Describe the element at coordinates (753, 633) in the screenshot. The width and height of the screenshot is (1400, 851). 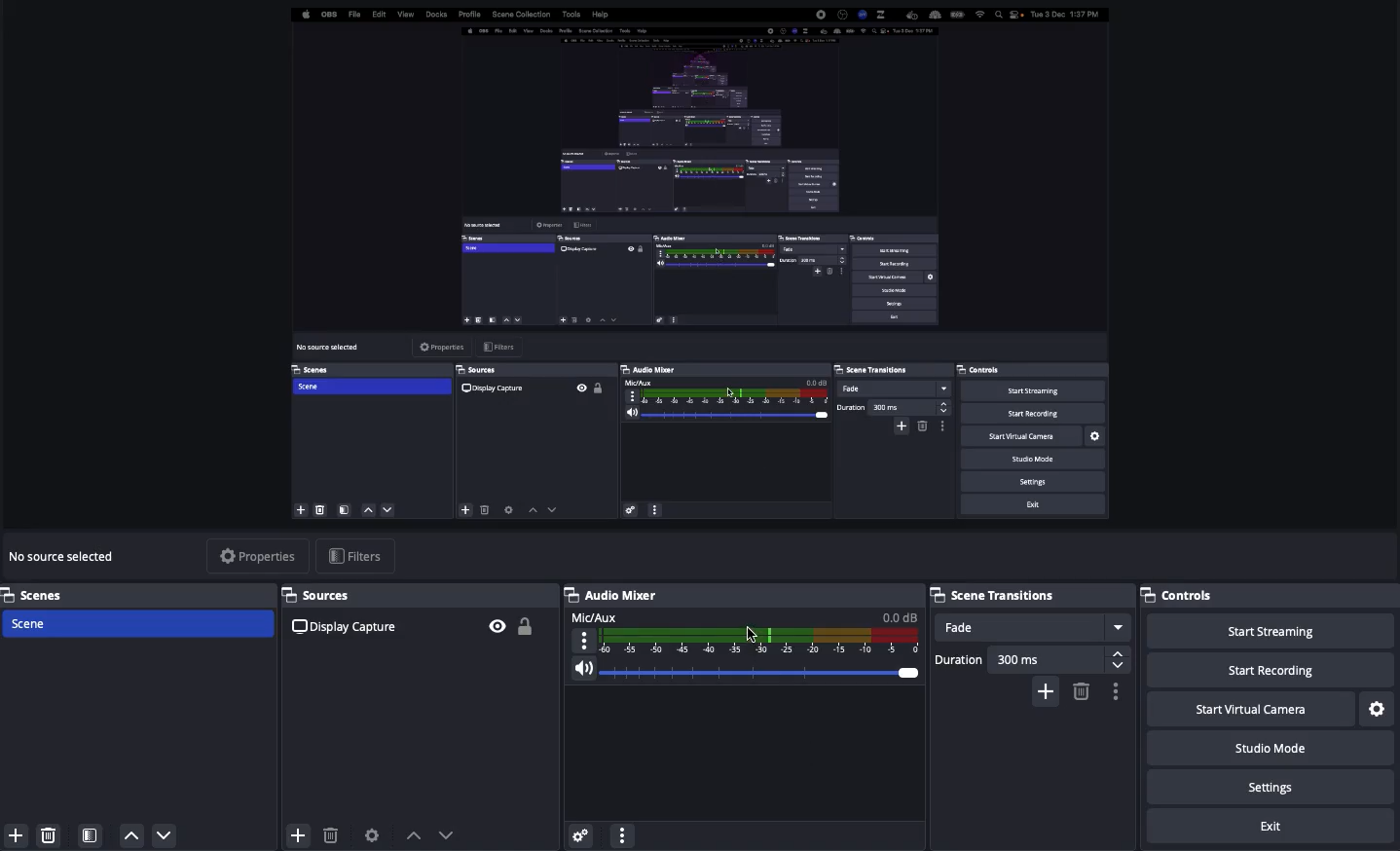
I see `Click` at that location.